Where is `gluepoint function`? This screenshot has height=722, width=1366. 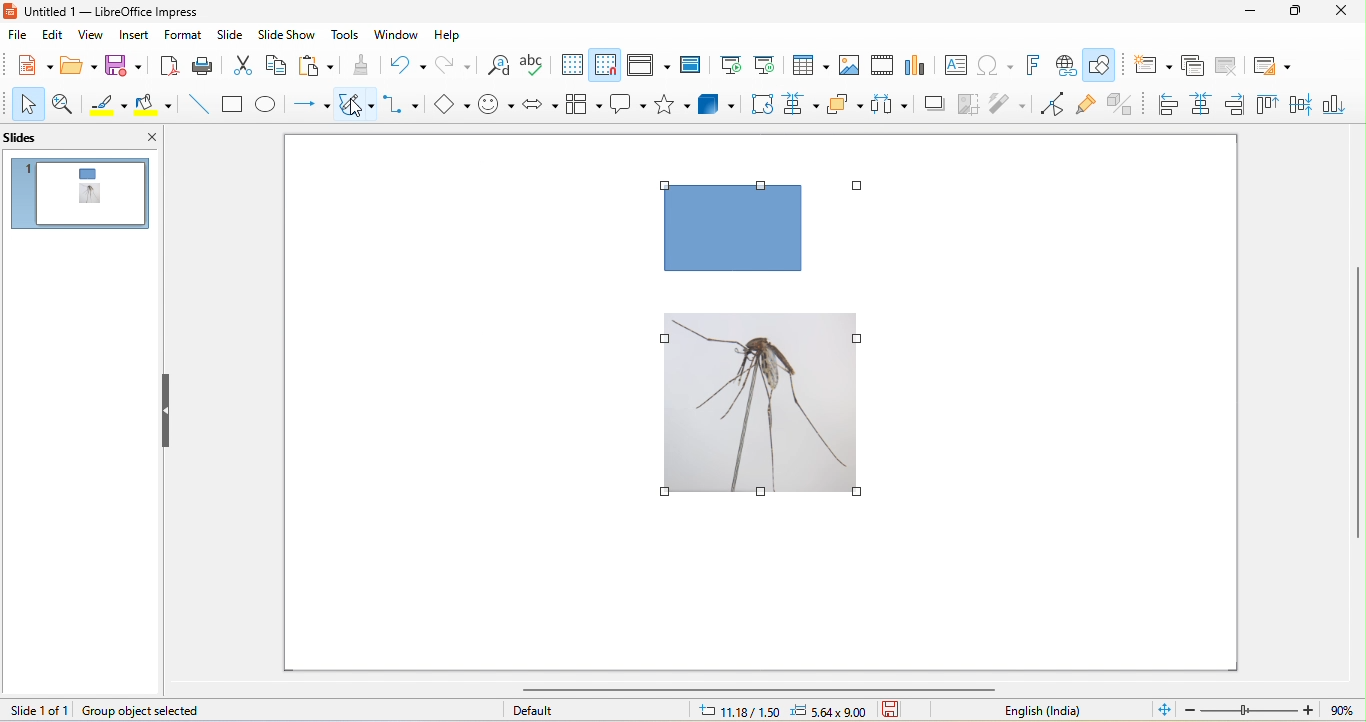 gluepoint function is located at coordinates (1087, 105).